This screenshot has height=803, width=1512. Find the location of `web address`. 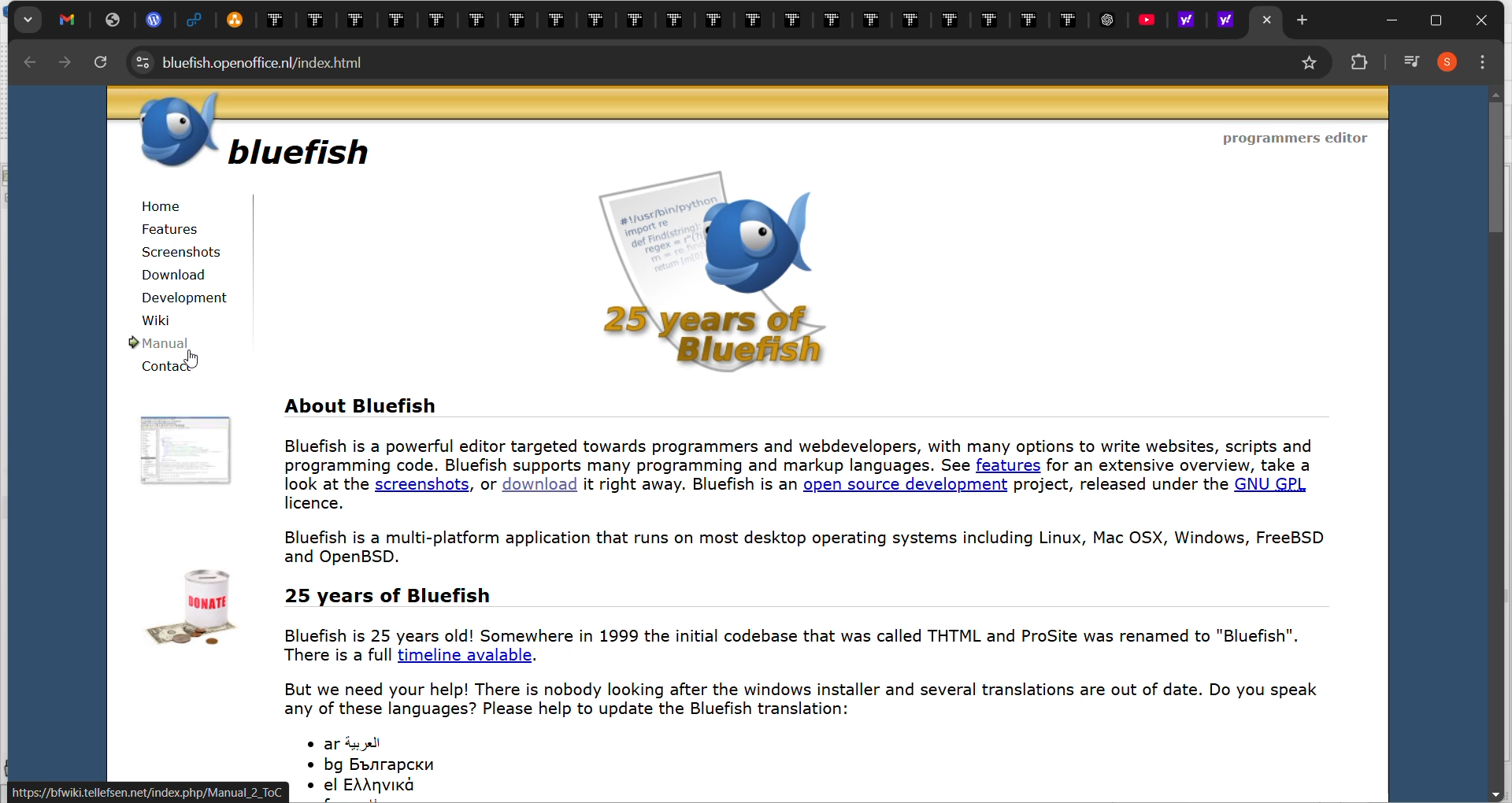

web address is located at coordinates (265, 66).